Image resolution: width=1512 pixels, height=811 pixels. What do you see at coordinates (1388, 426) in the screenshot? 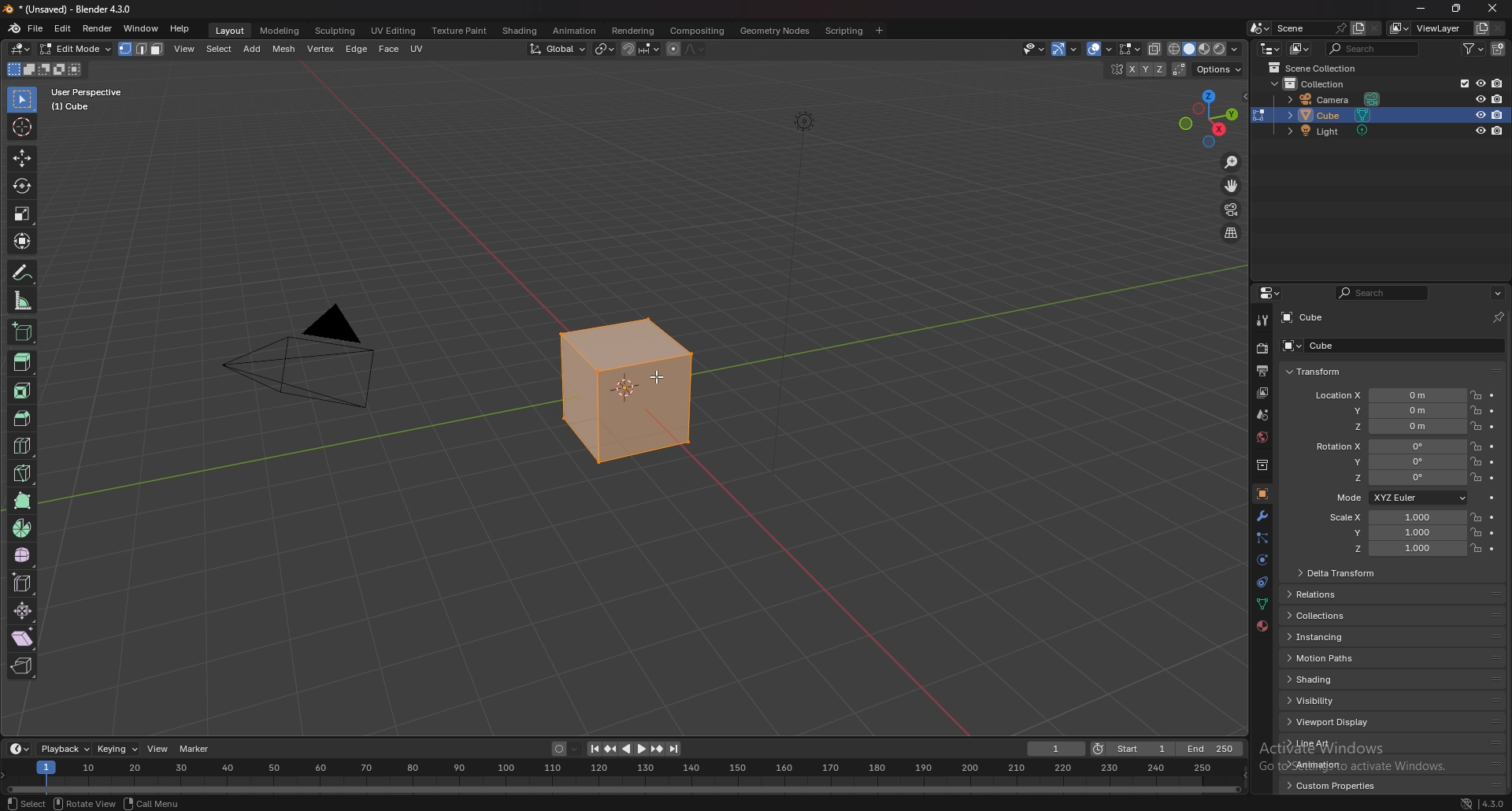
I see `location z` at bounding box center [1388, 426].